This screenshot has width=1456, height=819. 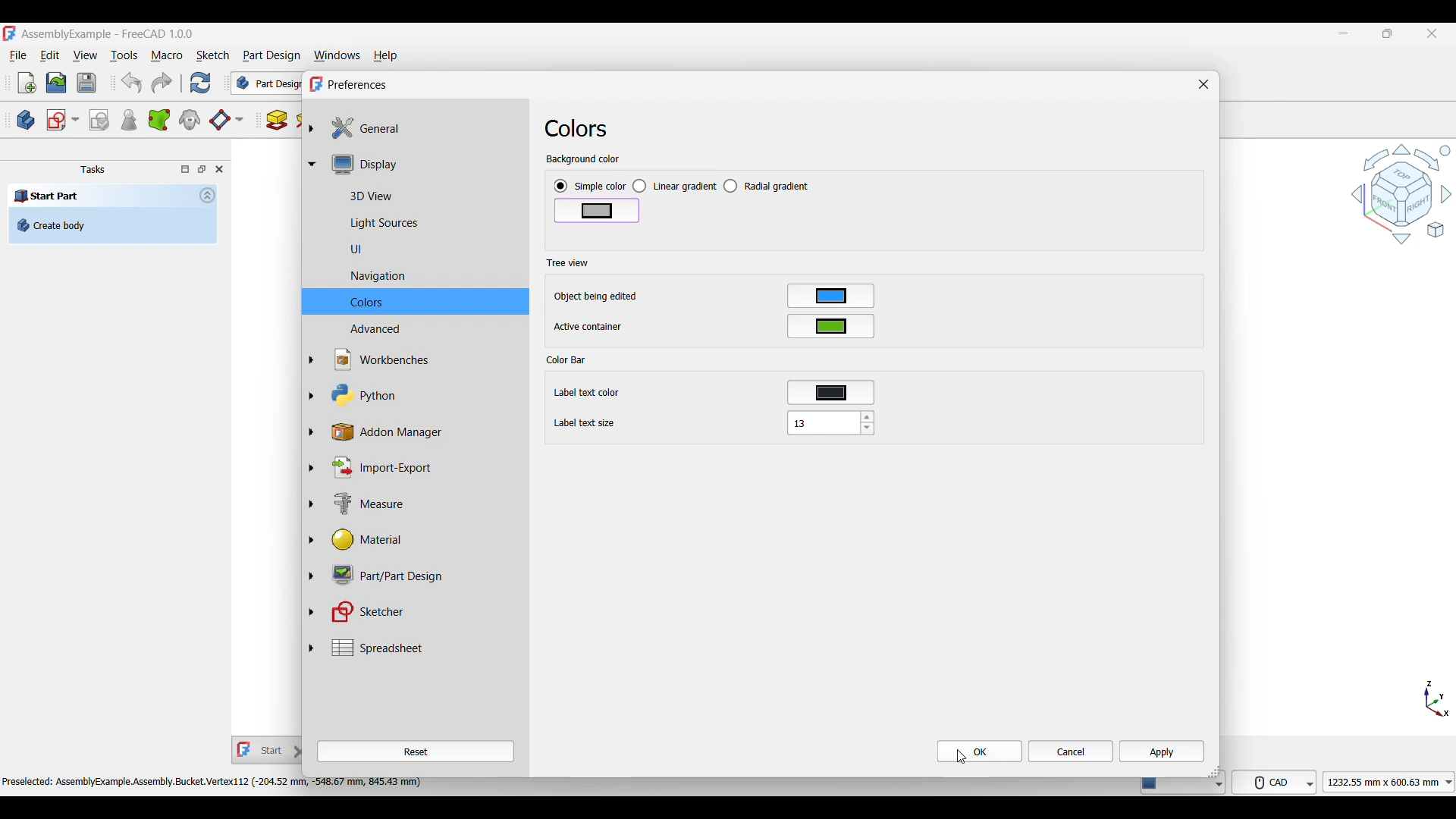 I want to click on Colors, so click(x=576, y=128).